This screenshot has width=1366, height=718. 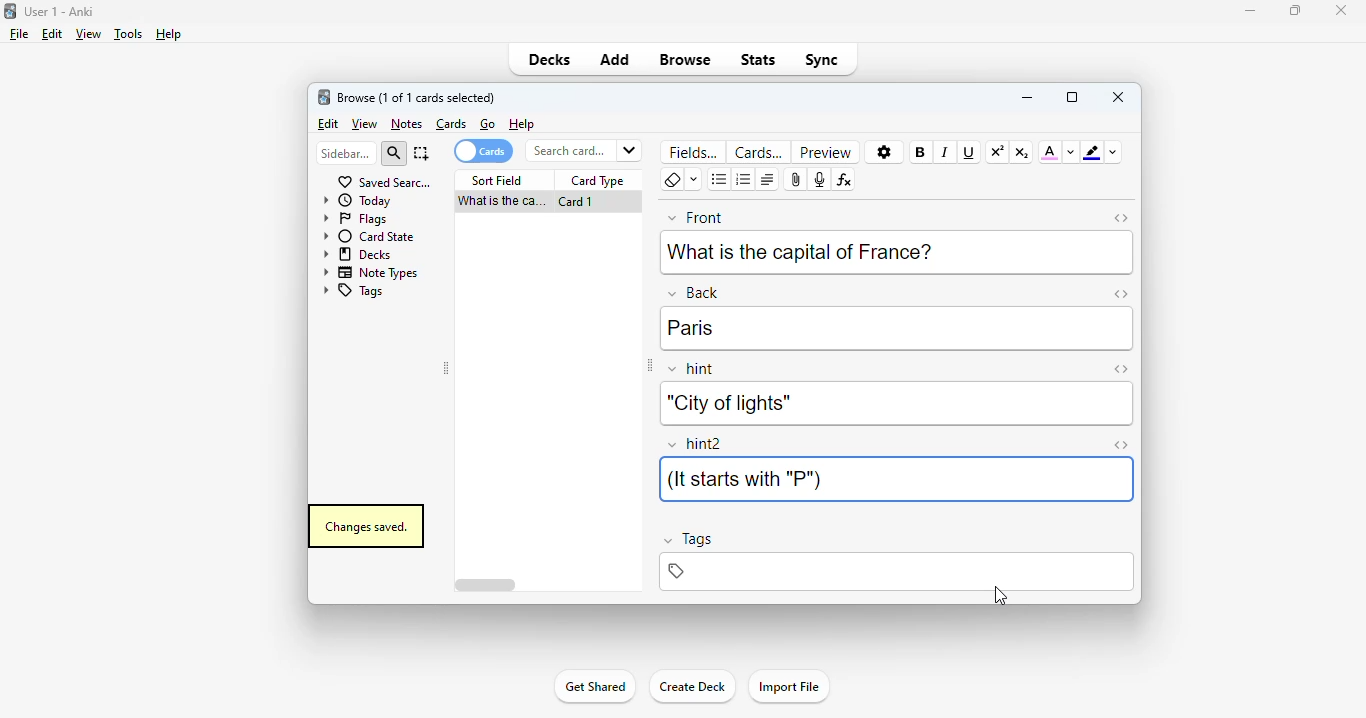 What do you see at coordinates (488, 586) in the screenshot?
I see `horizontal scroll bar` at bounding box center [488, 586].